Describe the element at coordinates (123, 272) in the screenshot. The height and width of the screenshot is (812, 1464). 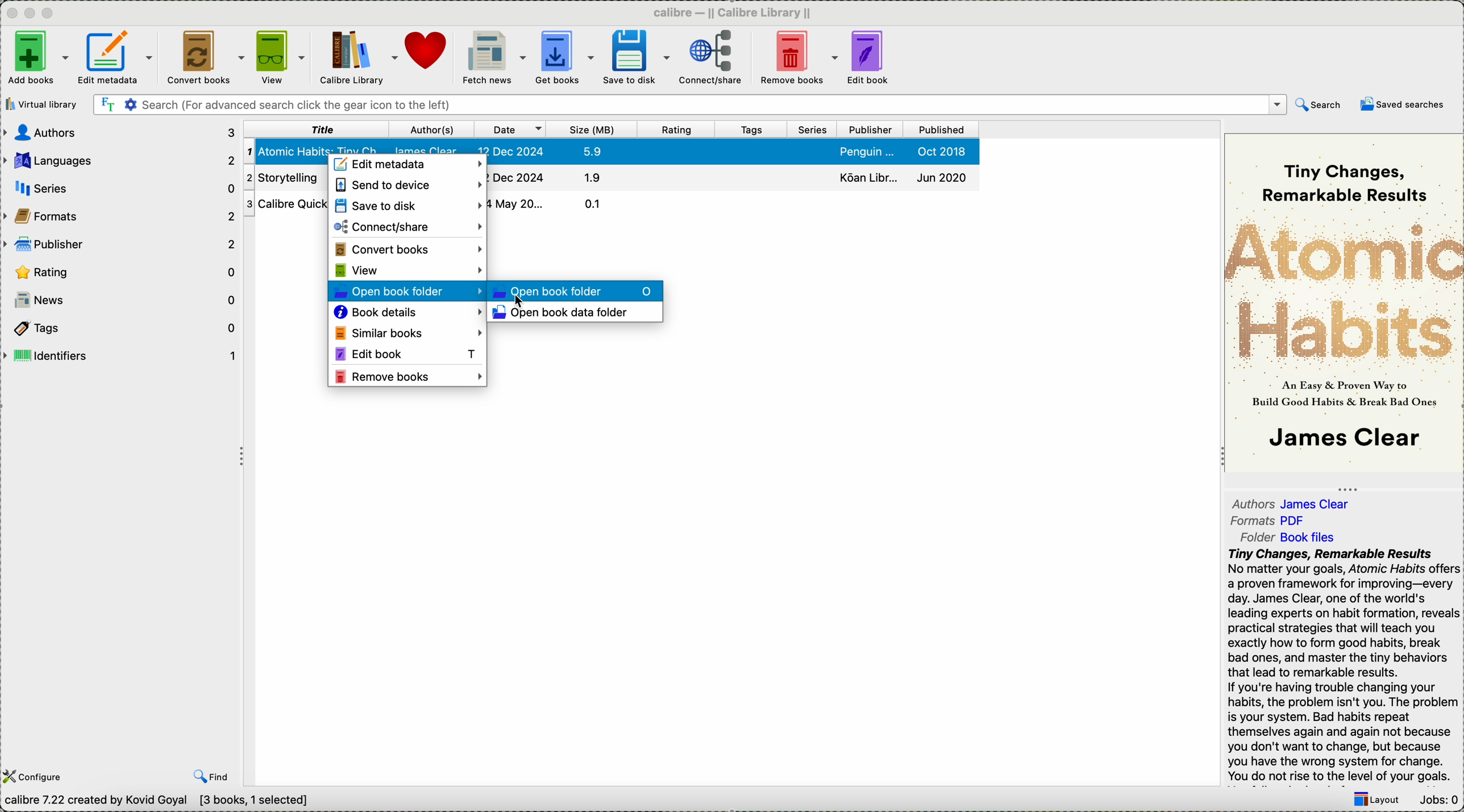
I see `rating` at that location.